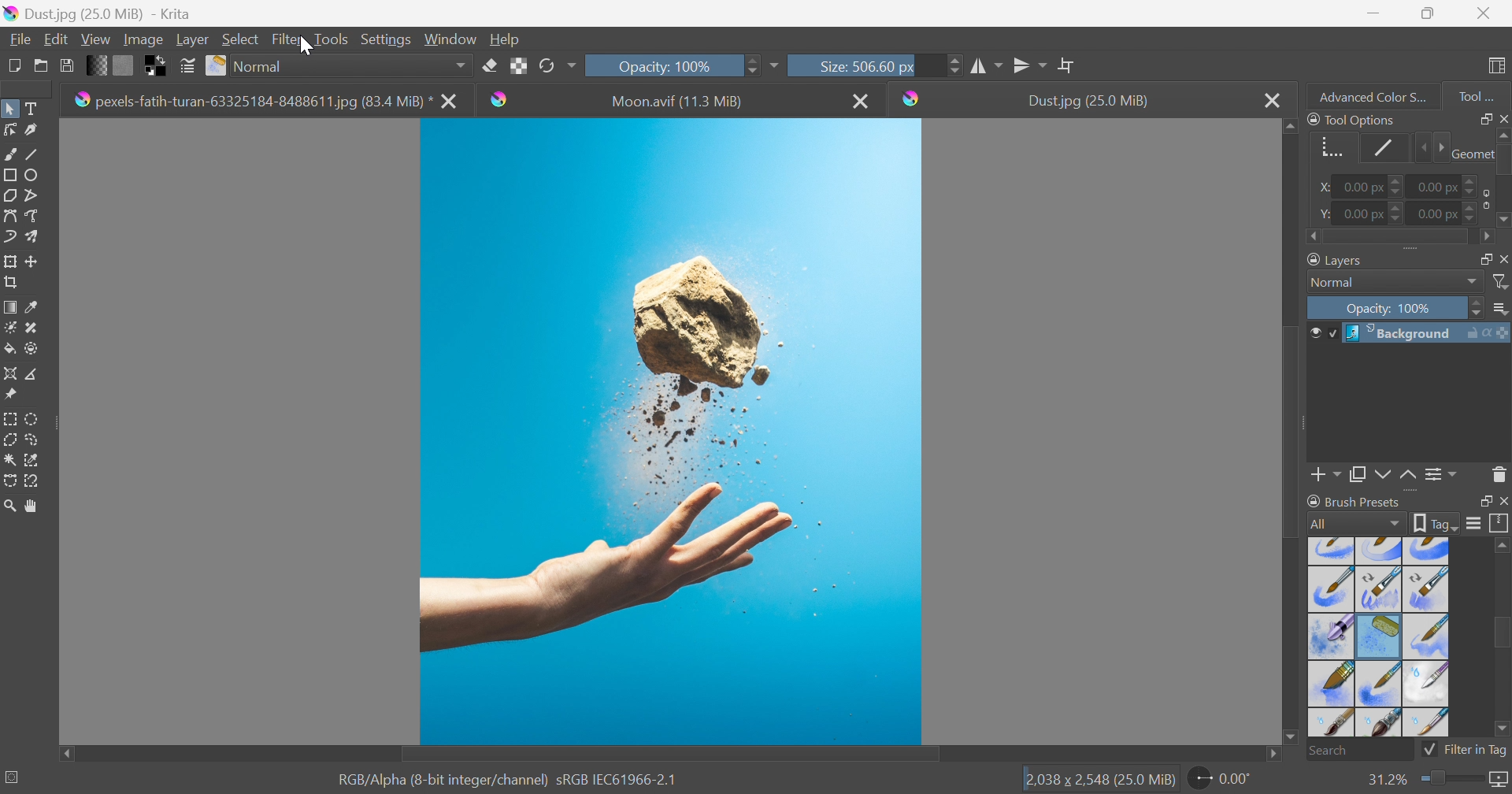 This screenshot has width=1512, height=794. I want to click on Settings, so click(388, 39).